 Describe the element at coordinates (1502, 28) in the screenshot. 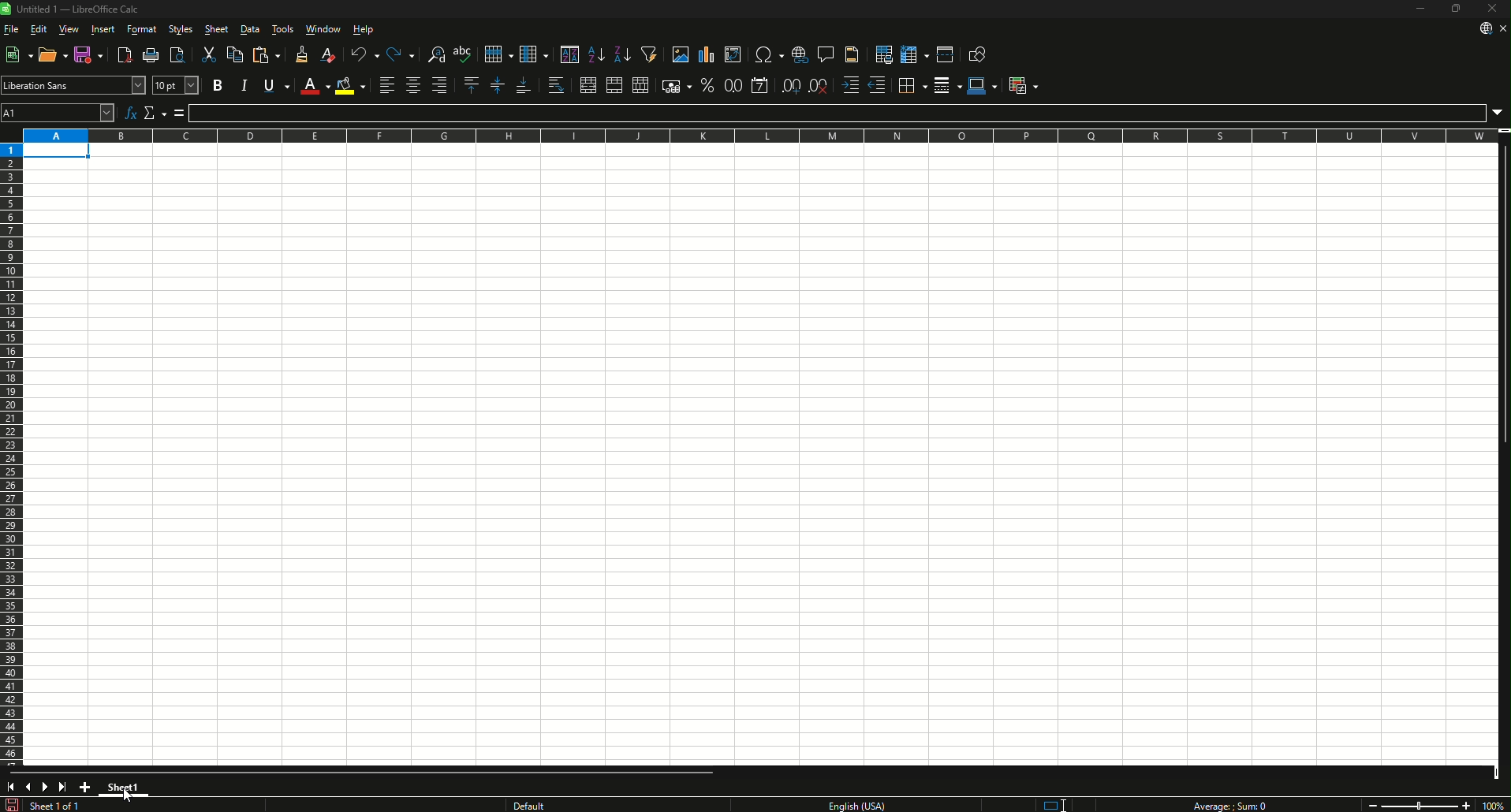

I see `Close sheet` at that location.